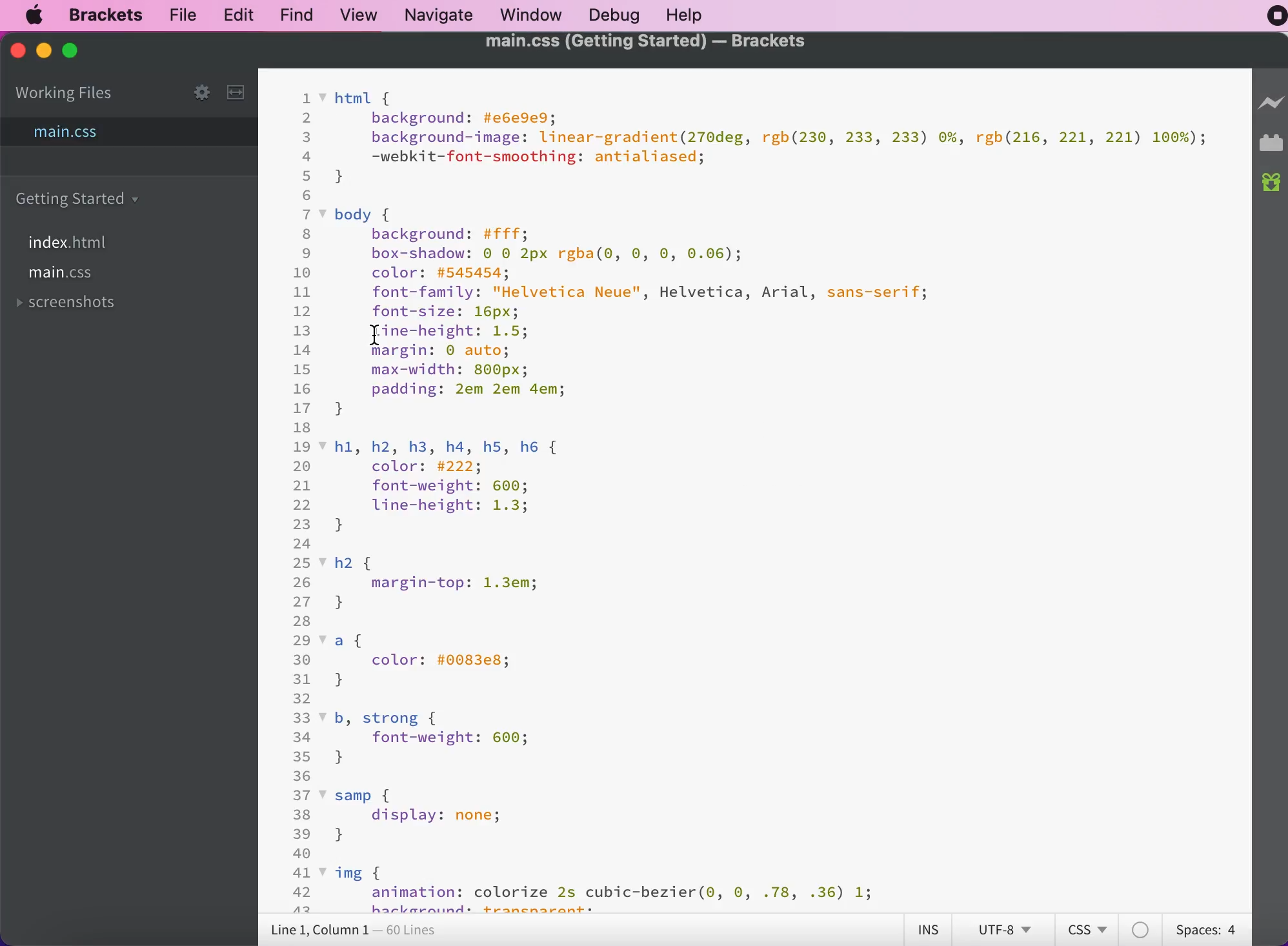  Describe the element at coordinates (65, 303) in the screenshot. I see `screenshots` at that location.